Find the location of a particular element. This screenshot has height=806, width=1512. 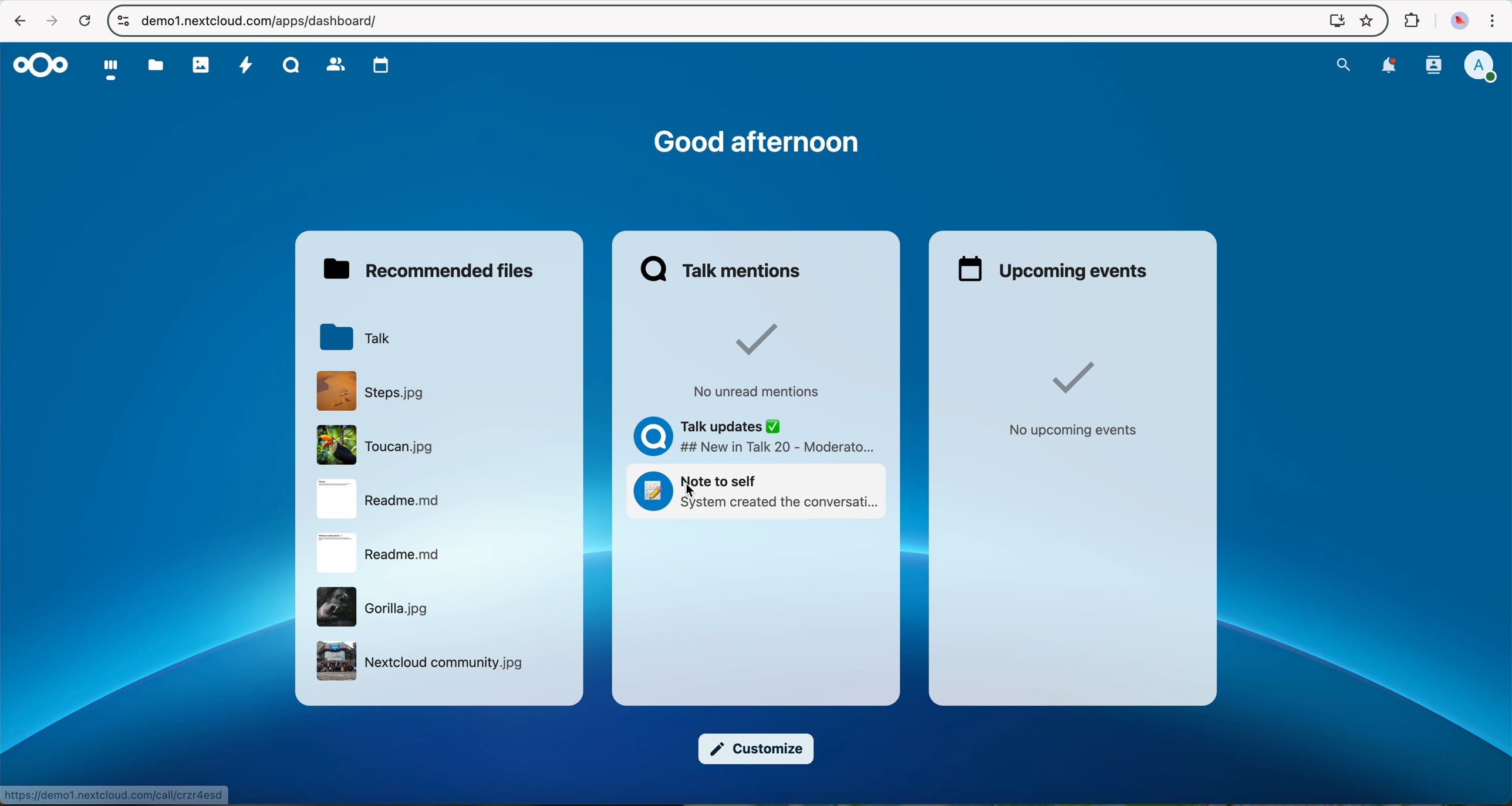

photos is located at coordinates (200, 63).